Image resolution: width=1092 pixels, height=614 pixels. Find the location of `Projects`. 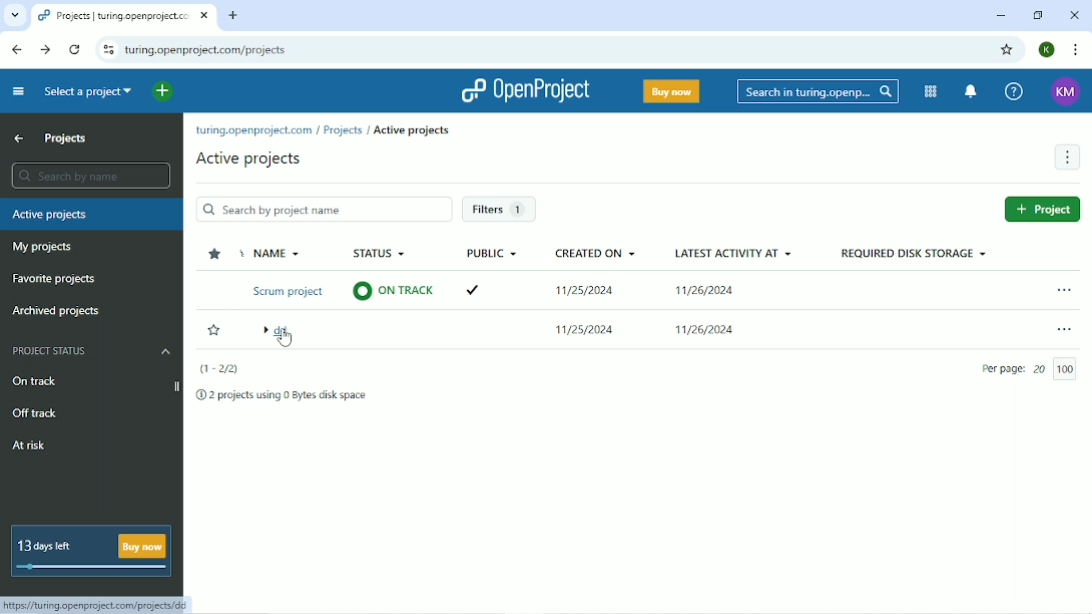

Projects is located at coordinates (66, 140).